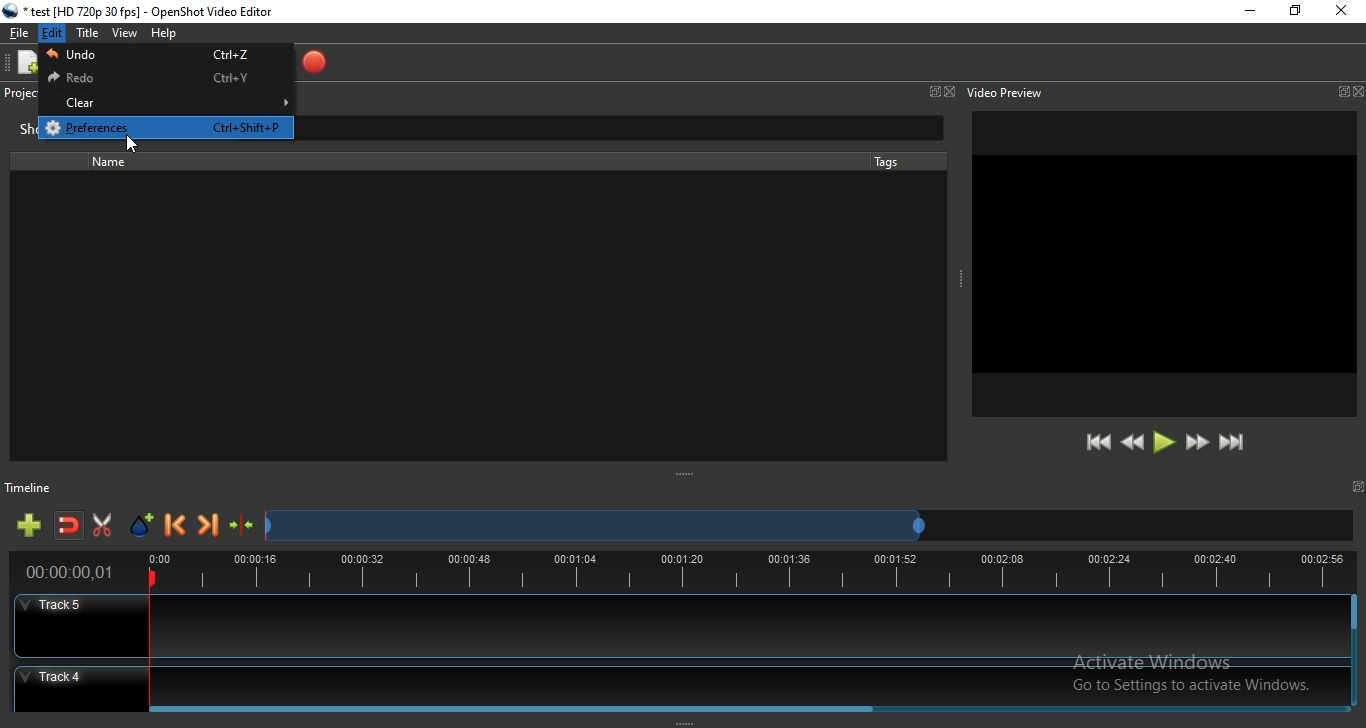 This screenshot has height=728, width=1366. Describe the element at coordinates (933, 91) in the screenshot. I see `Window ` at that location.